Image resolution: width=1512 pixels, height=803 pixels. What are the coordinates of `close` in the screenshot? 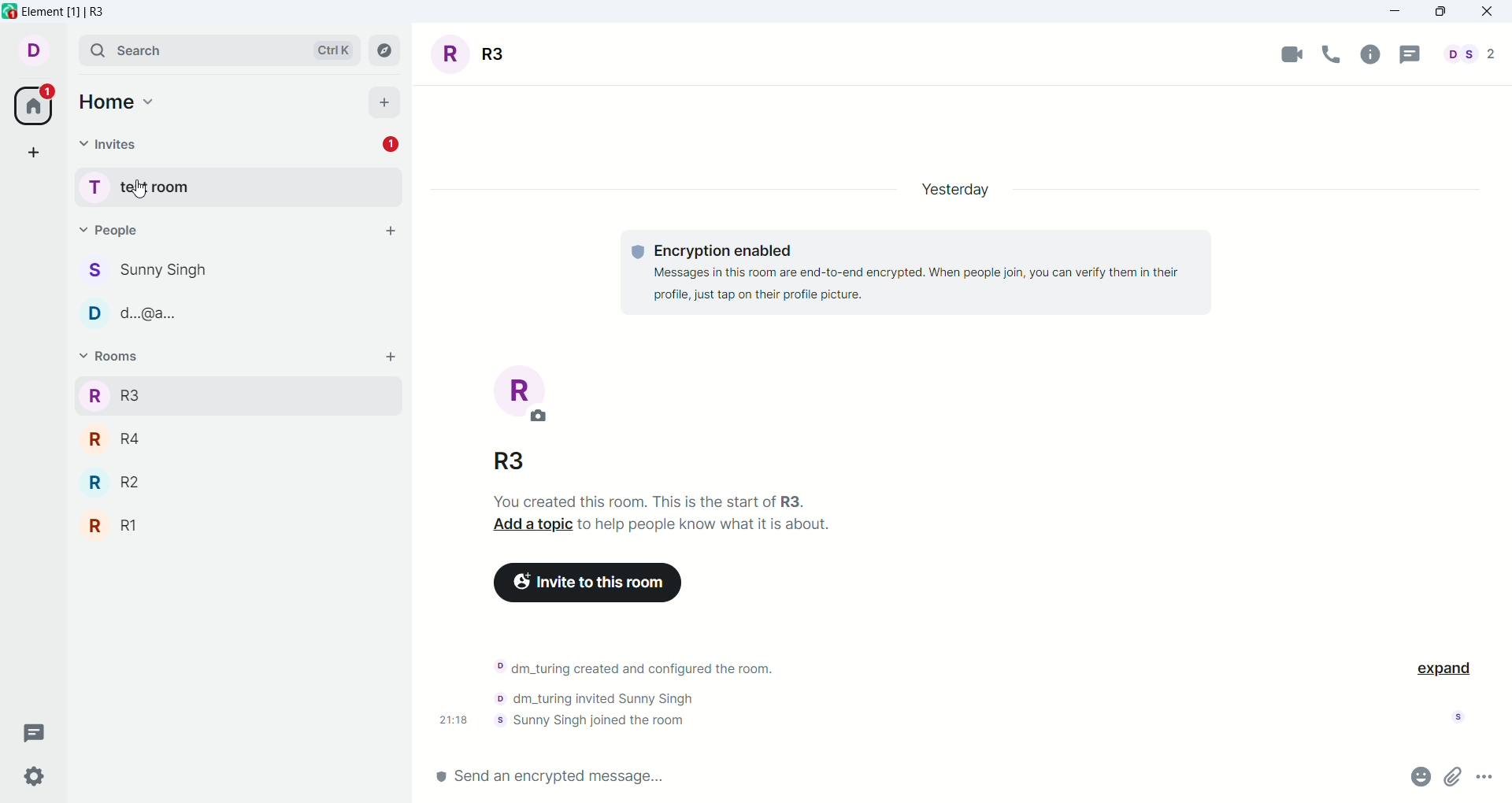 It's located at (1492, 14).